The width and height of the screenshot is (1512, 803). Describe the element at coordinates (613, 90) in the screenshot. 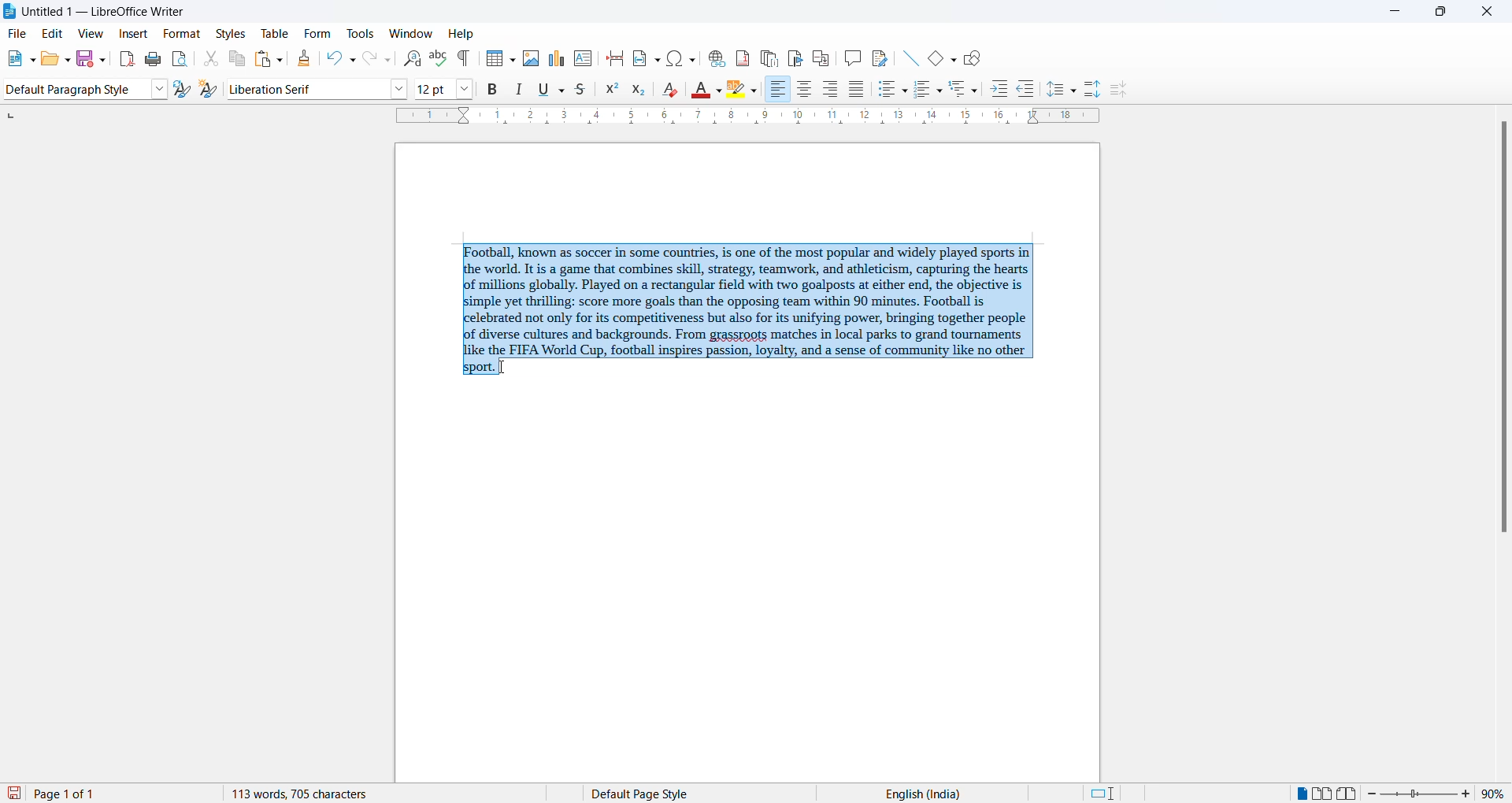

I see `superscript` at that location.